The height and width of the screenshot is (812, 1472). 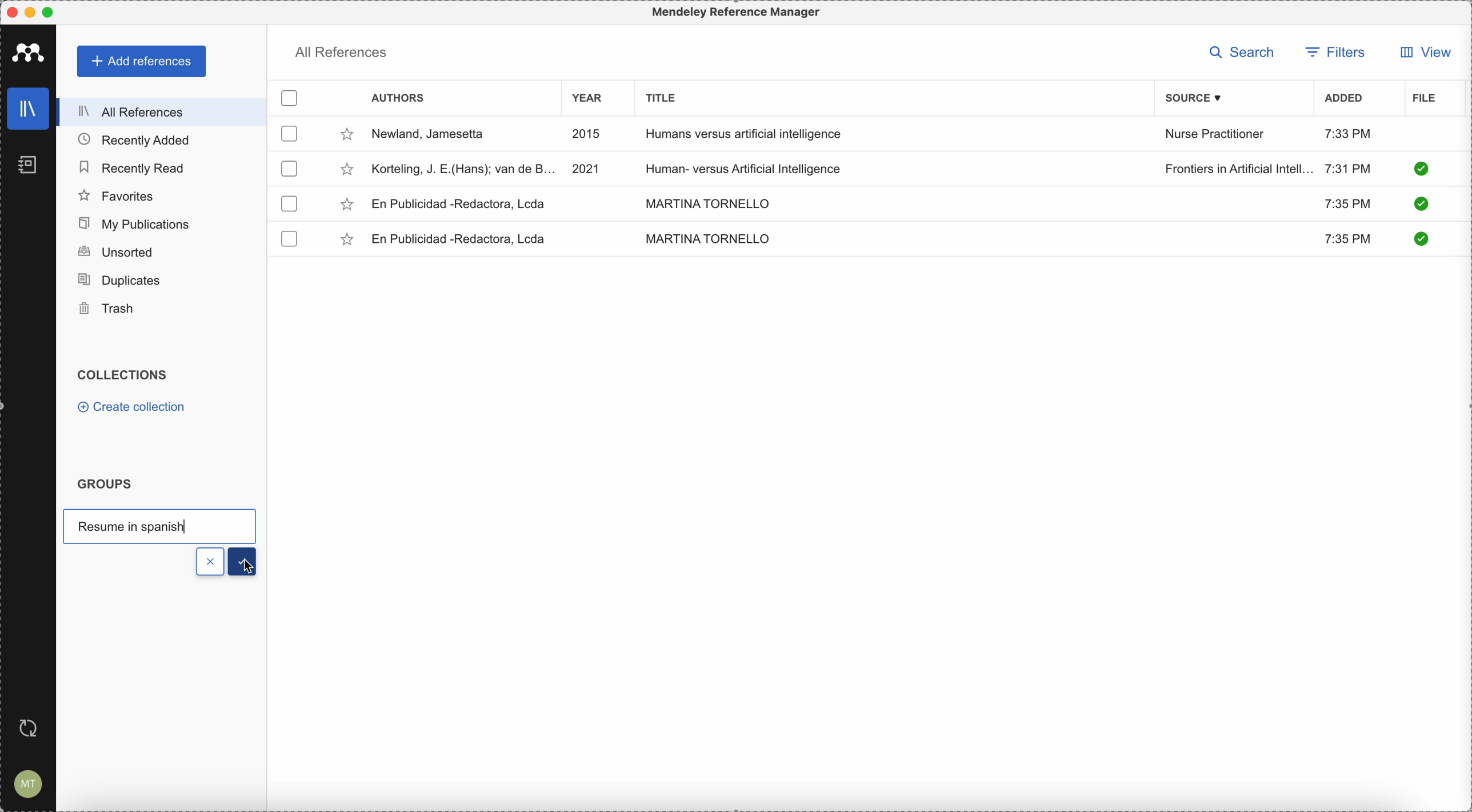 What do you see at coordinates (1246, 53) in the screenshot?
I see `search` at bounding box center [1246, 53].